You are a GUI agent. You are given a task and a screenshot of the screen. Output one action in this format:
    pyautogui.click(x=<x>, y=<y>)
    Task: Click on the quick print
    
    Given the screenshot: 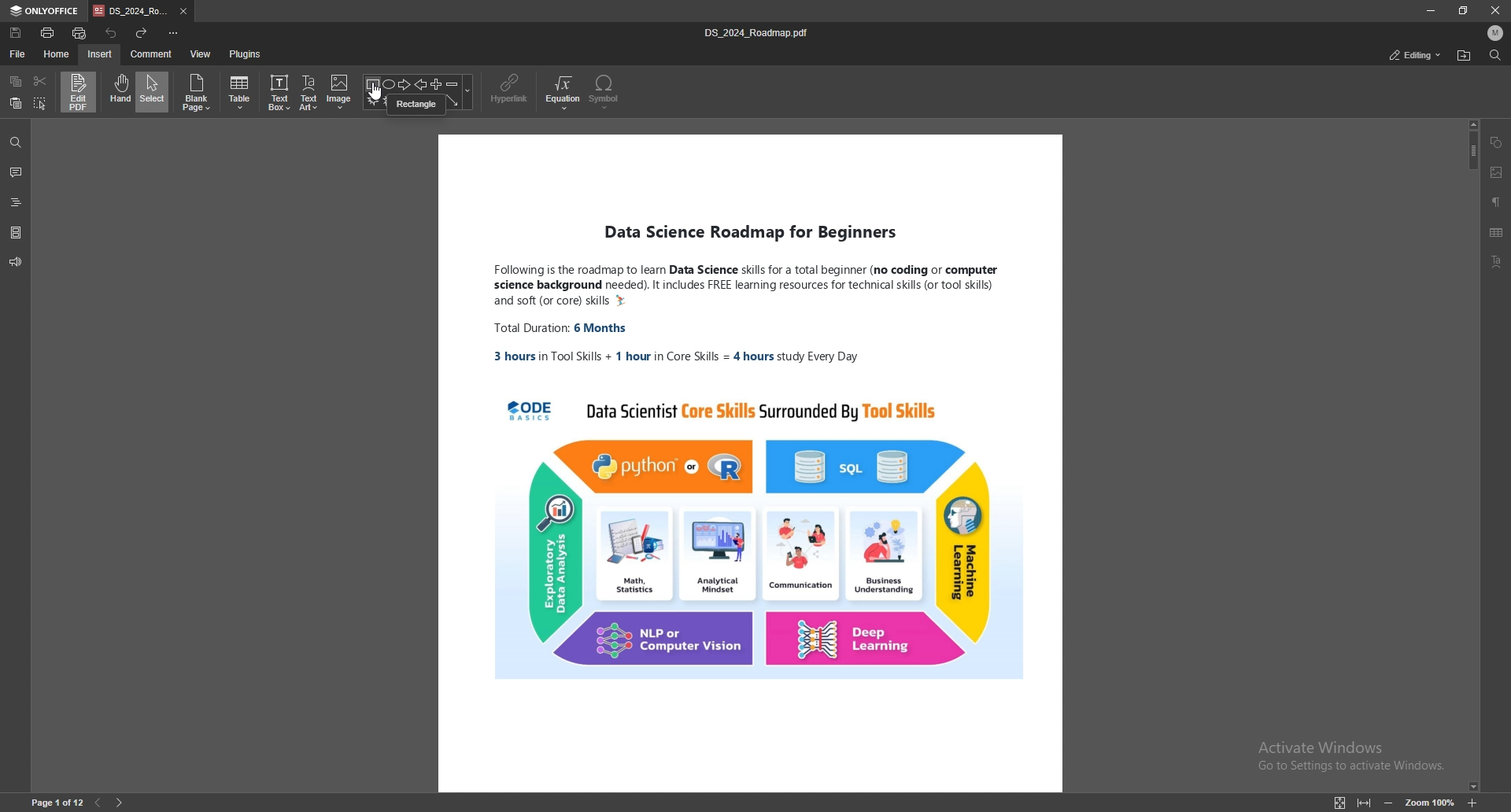 What is the action you would take?
    pyautogui.click(x=81, y=33)
    